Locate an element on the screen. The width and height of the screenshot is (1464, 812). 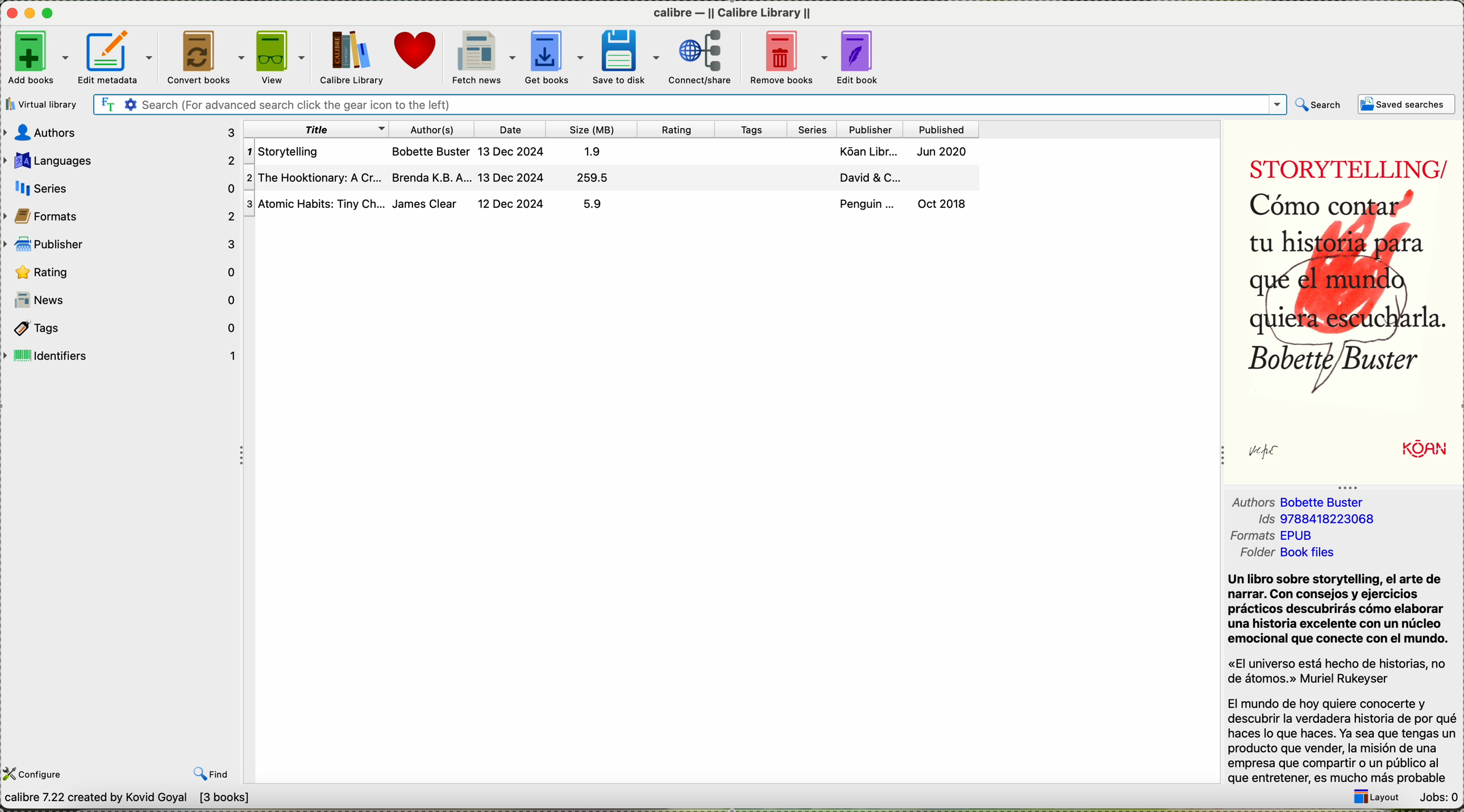
title is located at coordinates (318, 128).